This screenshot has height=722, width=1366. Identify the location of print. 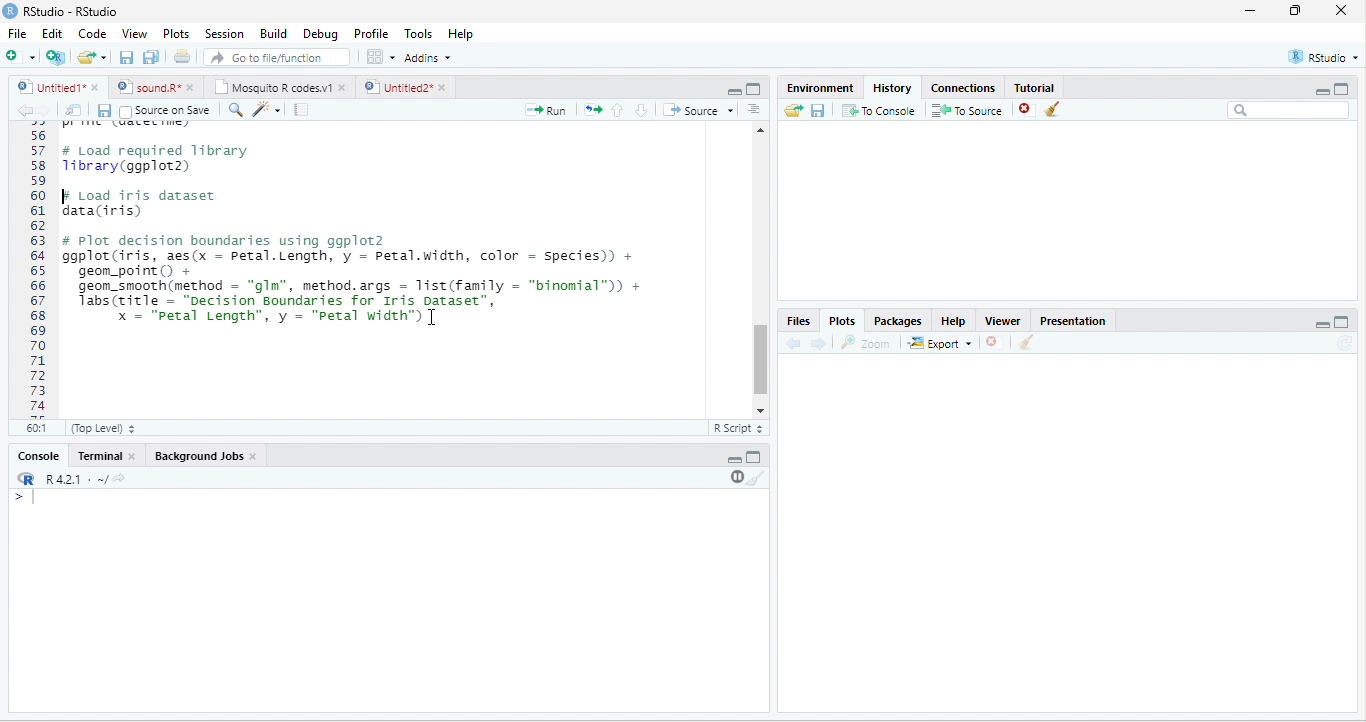
(181, 56).